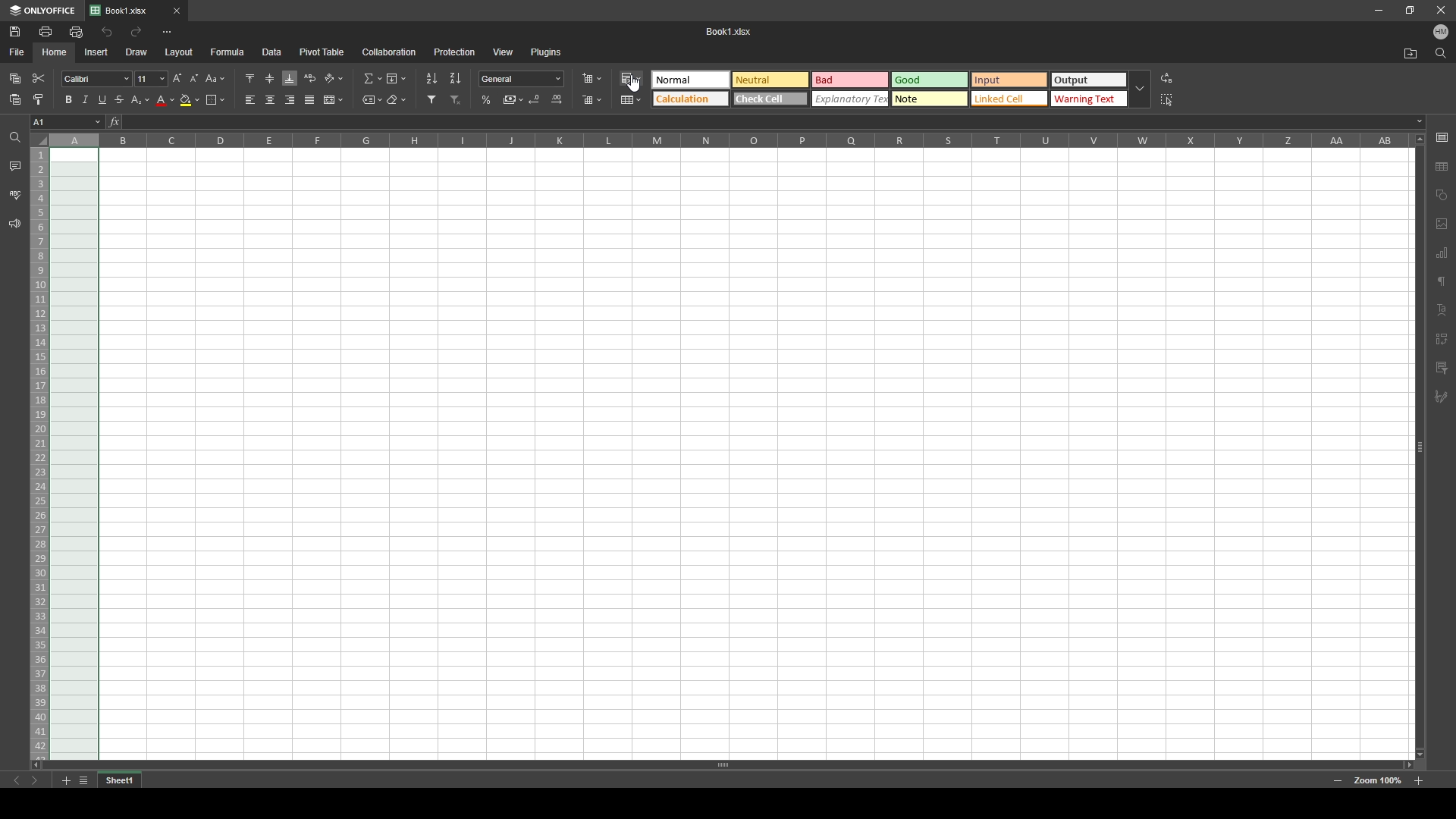 This screenshot has height=819, width=1456. Describe the element at coordinates (756, 454) in the screenshot. I see `spreadsheet` at that location.